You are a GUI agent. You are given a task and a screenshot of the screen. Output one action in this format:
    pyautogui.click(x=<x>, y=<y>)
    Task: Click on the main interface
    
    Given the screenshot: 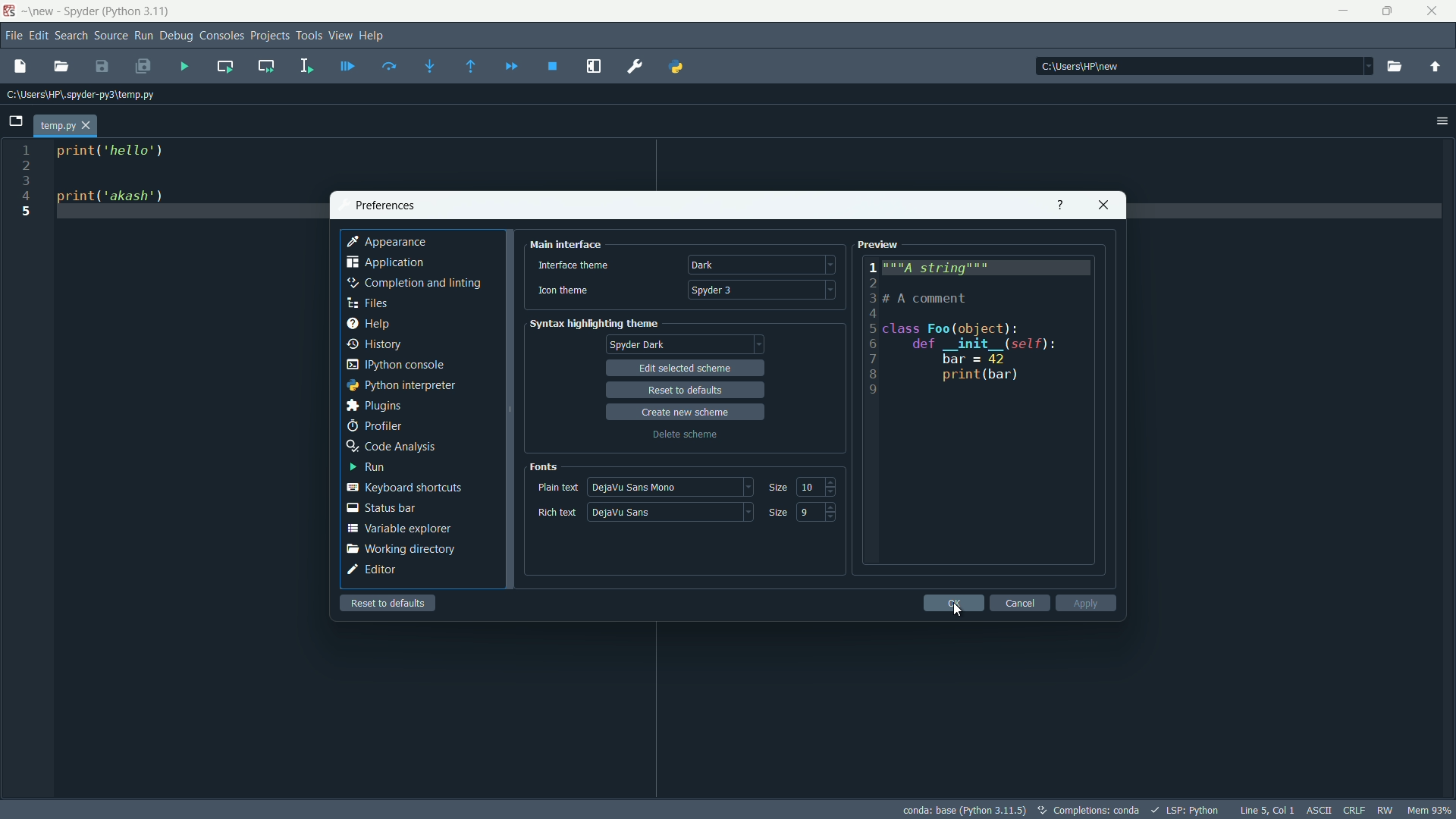 What is the action you would take?
    pyautogui.click(x=570, y=245)
    